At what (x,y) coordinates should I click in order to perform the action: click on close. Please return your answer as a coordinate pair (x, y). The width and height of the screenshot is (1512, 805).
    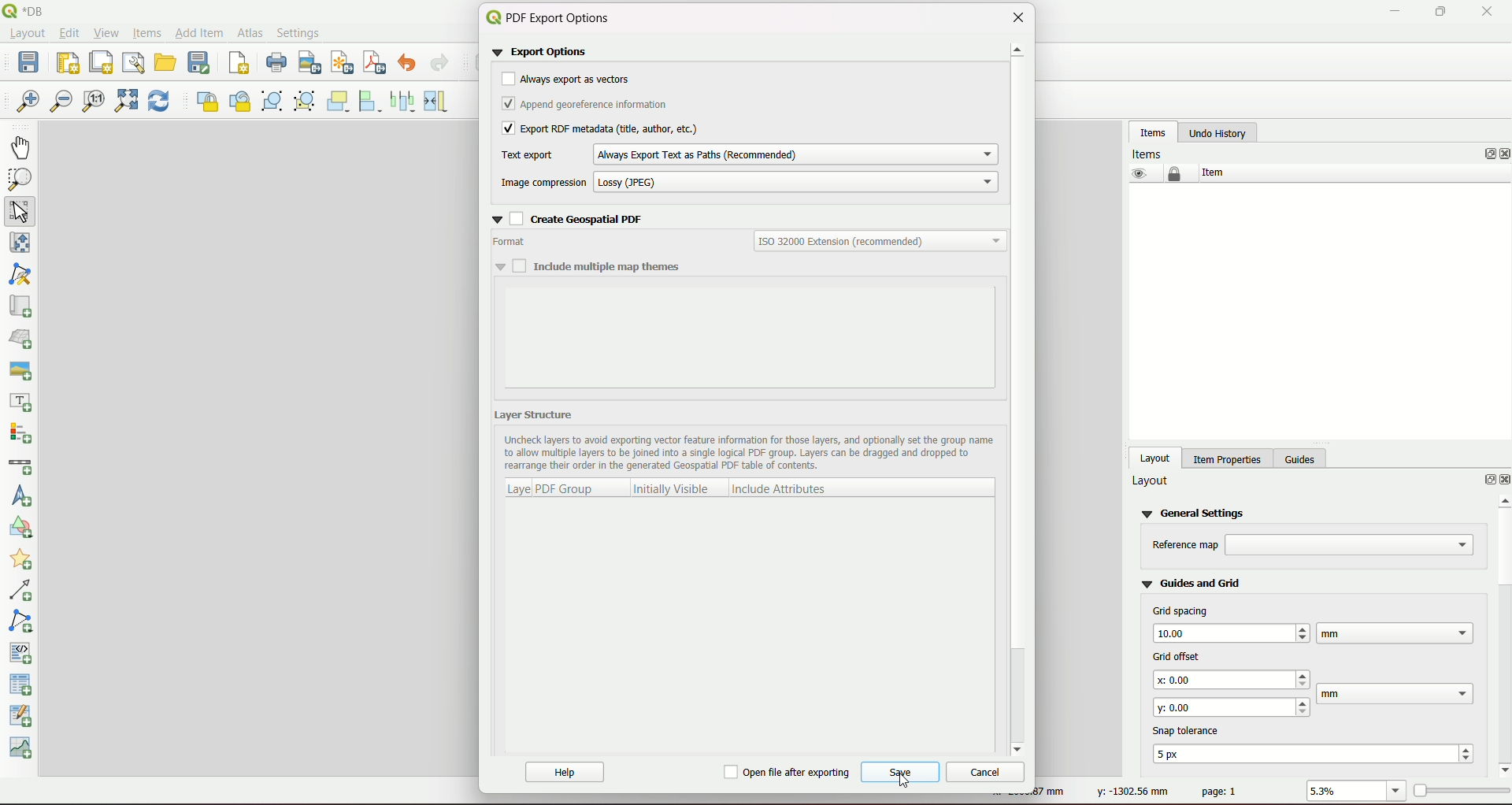
    Looking at the image, I should click on (1487, 12).